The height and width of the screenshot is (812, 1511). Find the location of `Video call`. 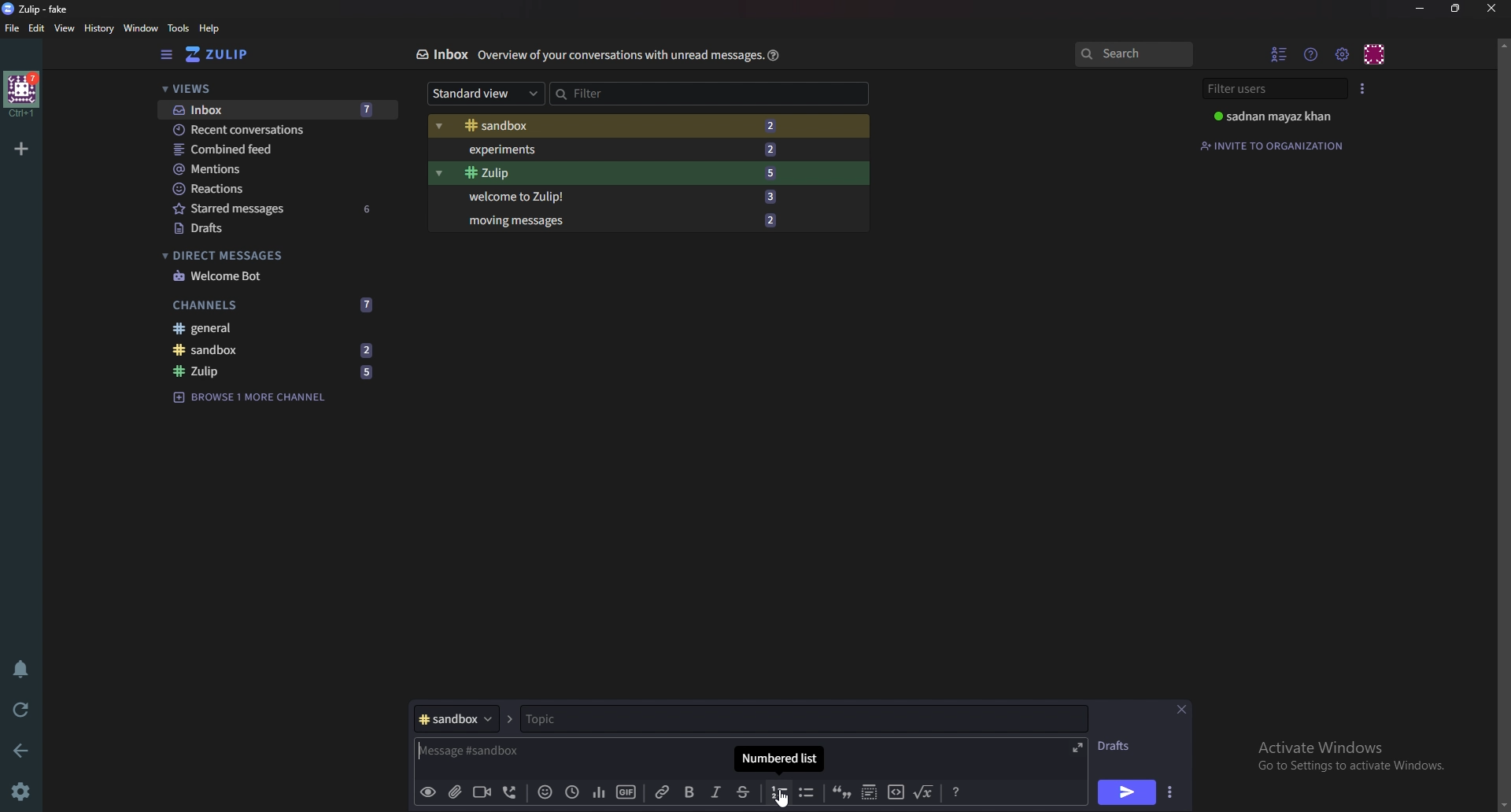

Video call is located at coordinates (480, 792).